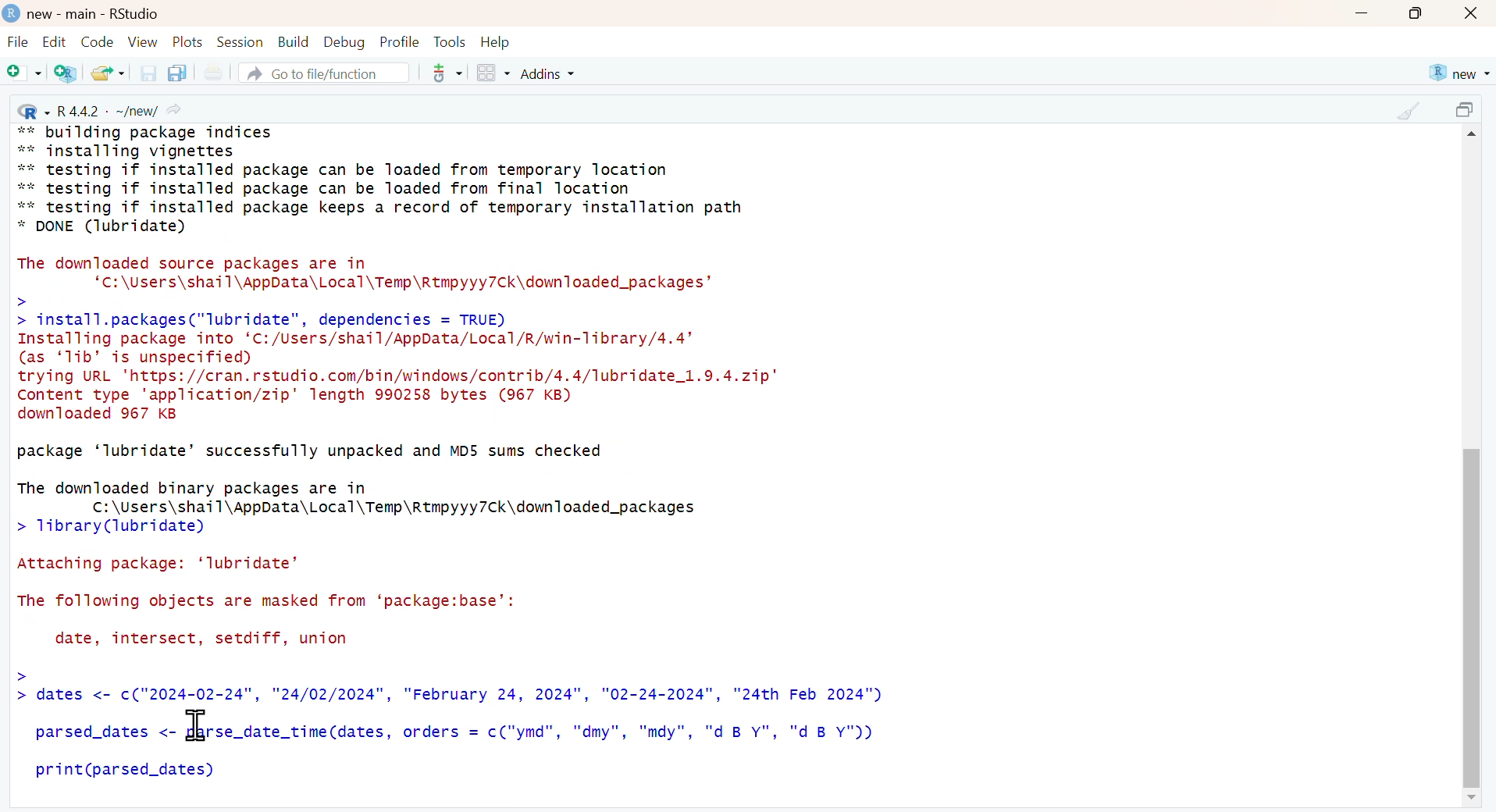 The width and height of the screenshot is (1496, 812). I want to click on R 4.4.2 . ~/new/, so click(102, 110).